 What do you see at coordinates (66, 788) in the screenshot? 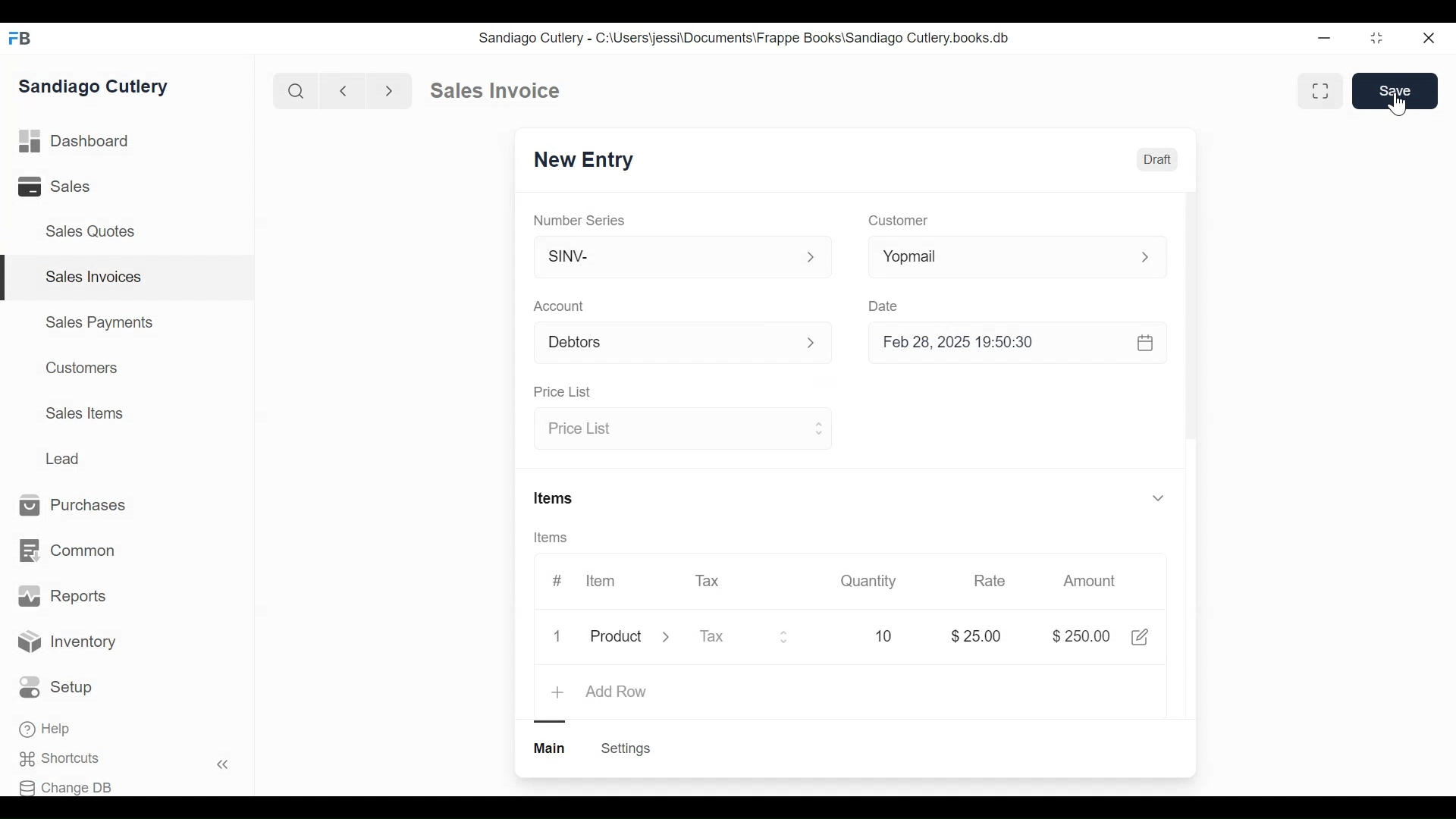
I see `Change DB` at bounding box center [66, 788].